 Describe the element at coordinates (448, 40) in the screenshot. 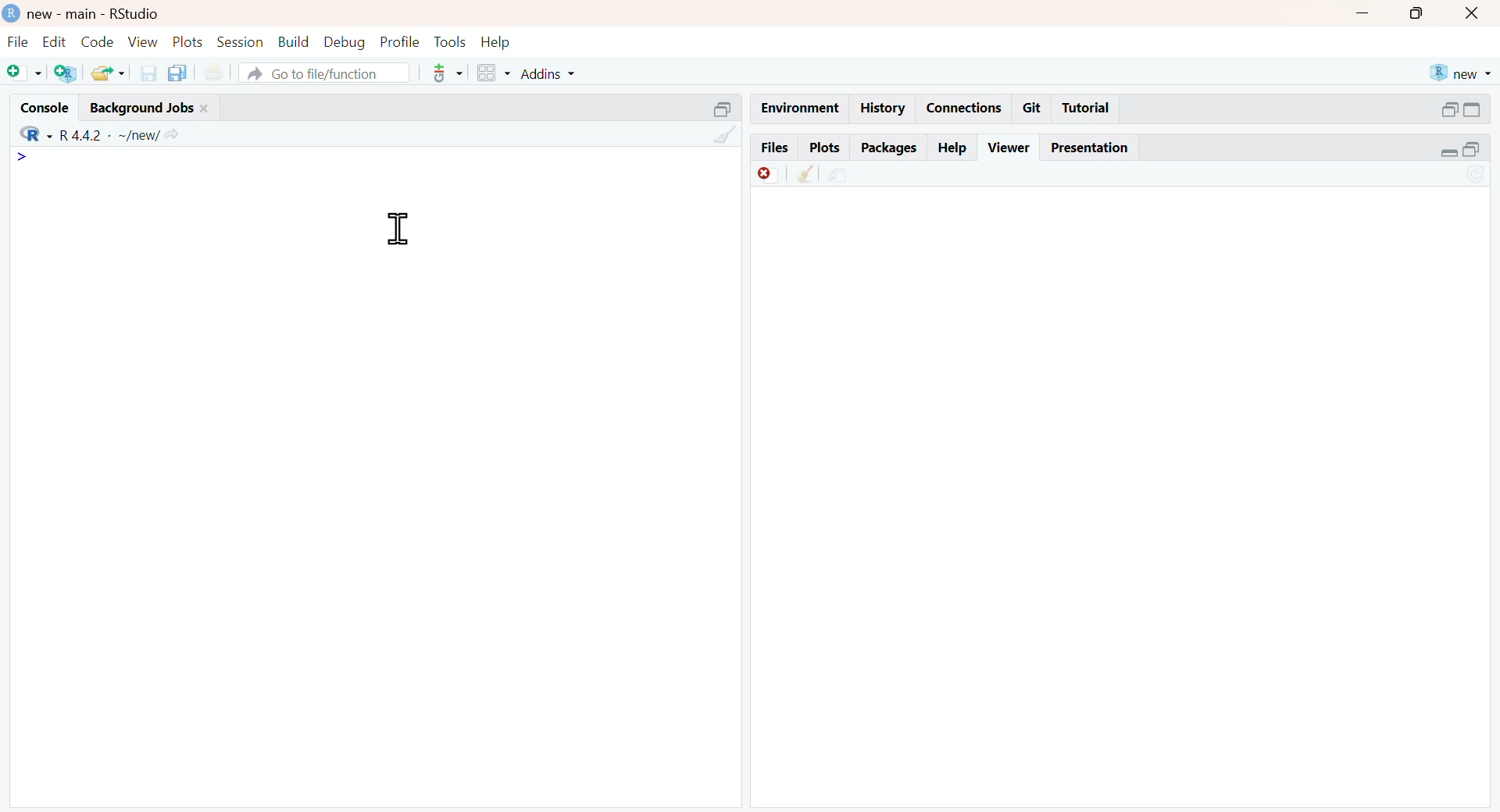

I see `Tools` at that location.